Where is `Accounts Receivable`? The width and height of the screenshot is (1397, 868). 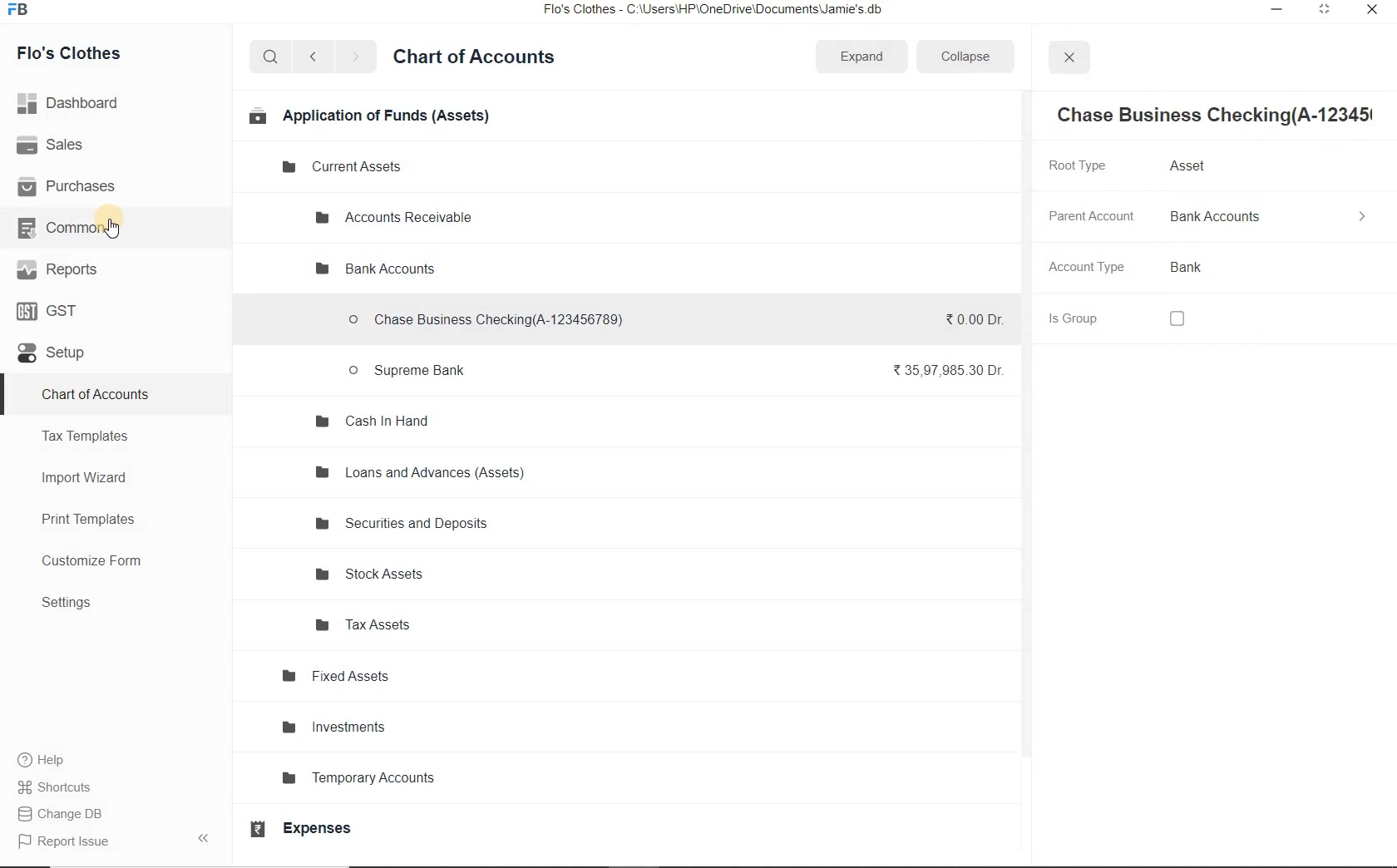
Accounts Receivable is located at coordinates (403, 216).